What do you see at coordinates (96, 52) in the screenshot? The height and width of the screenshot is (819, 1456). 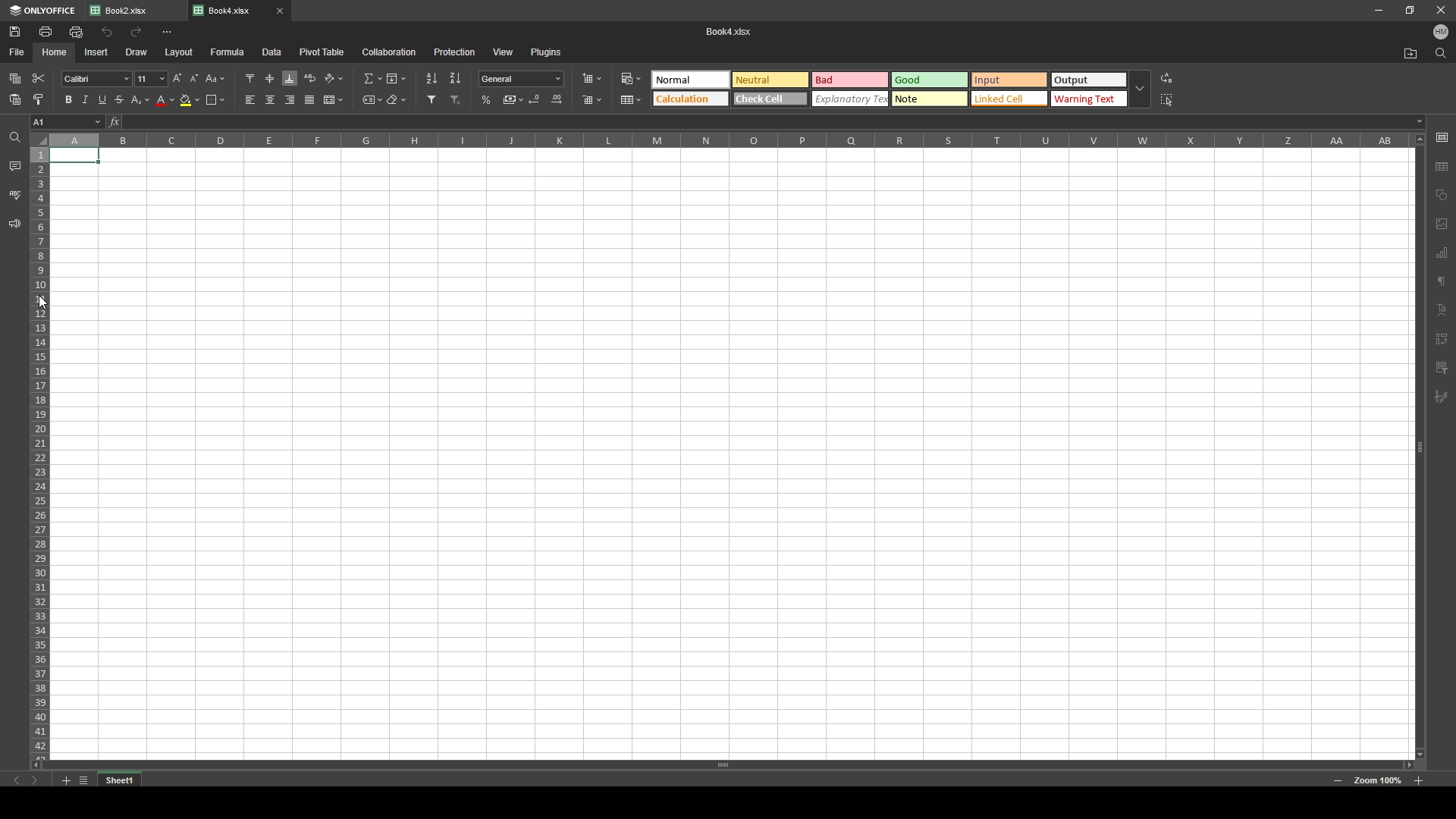 I see `insert` at bounding box center [96, 52].